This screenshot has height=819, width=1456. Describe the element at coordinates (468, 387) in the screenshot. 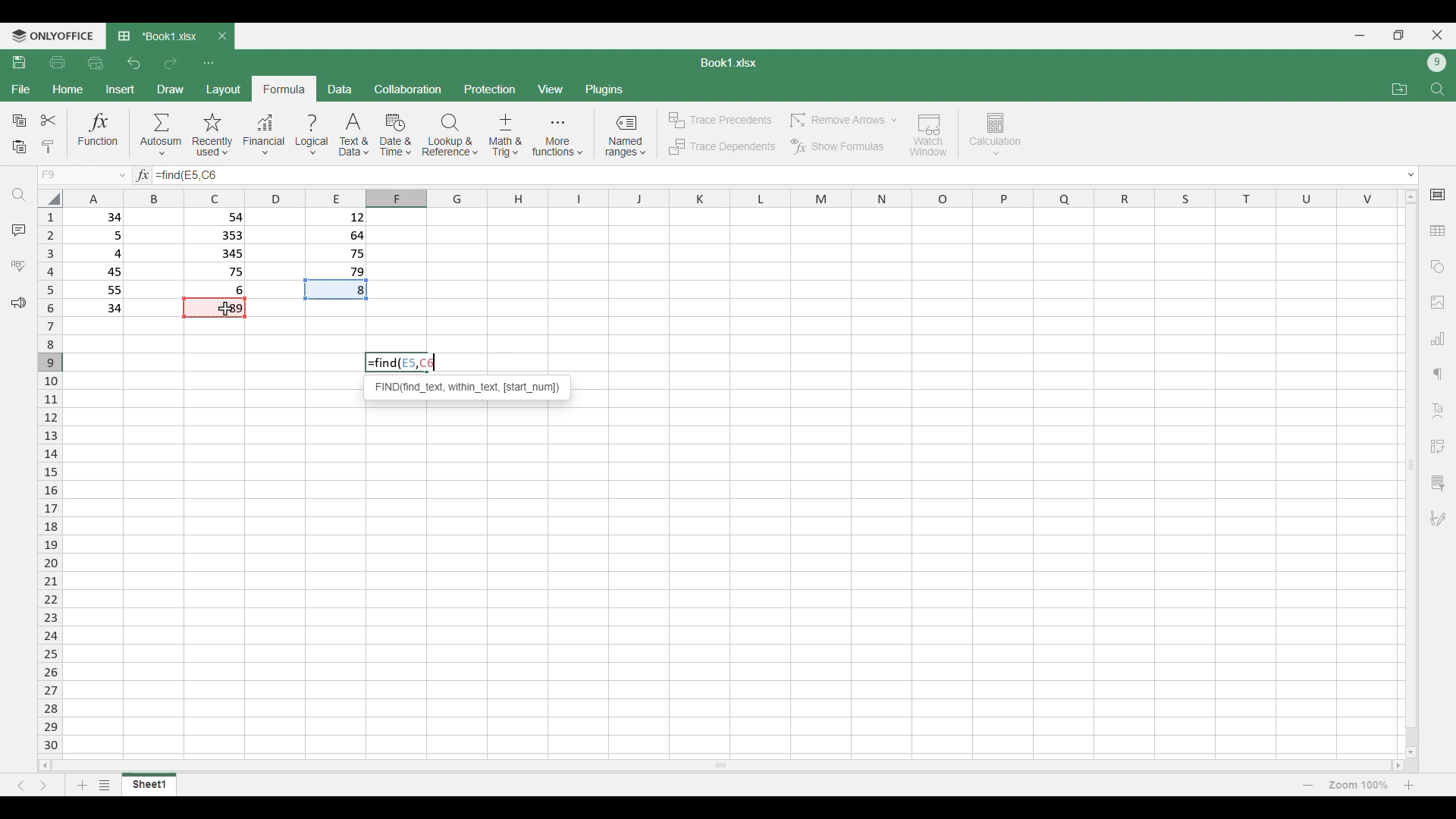

I see `Instructions for current function` at that location.